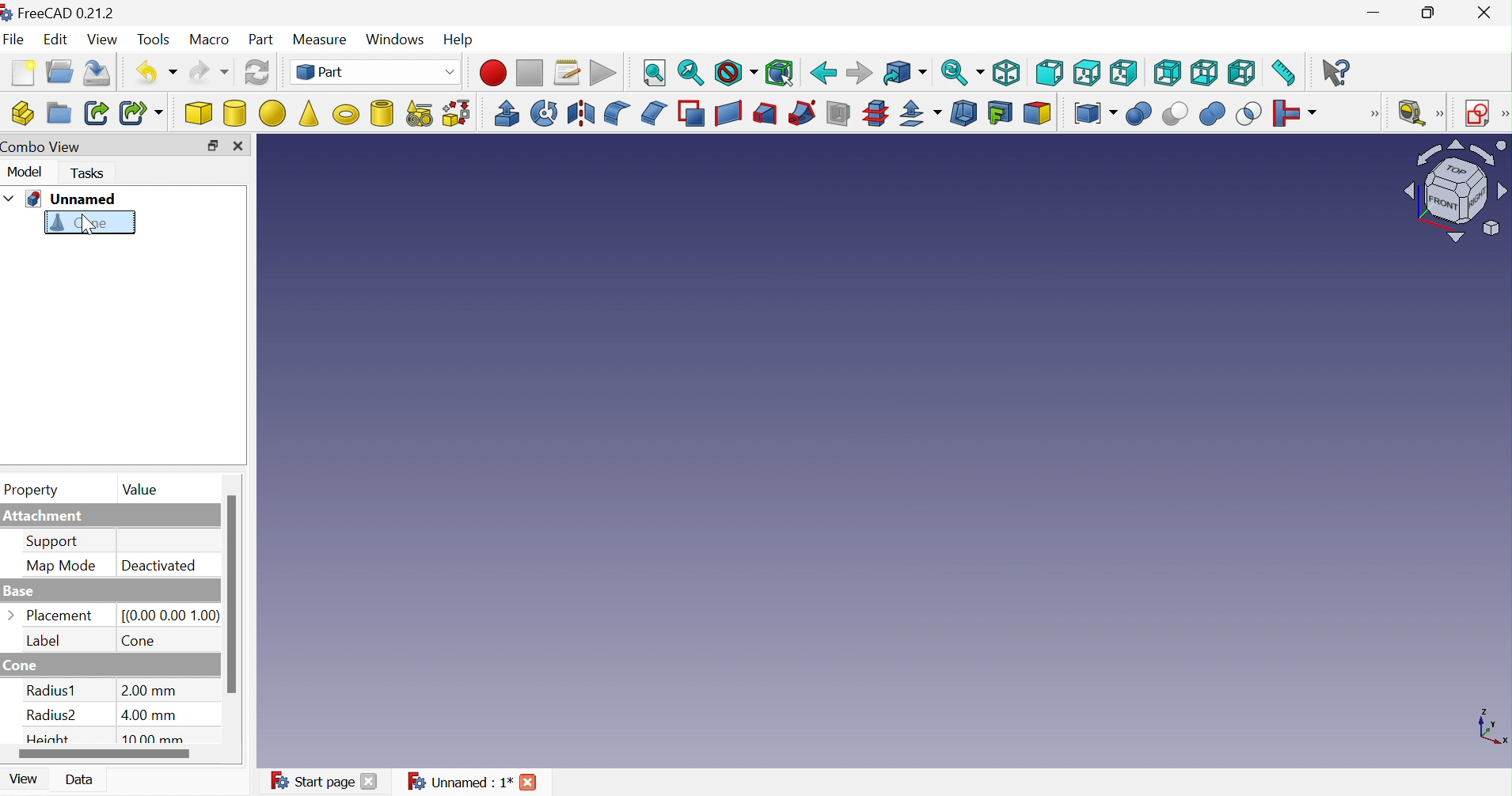  What do you see at coordinates (904, 74) in the screenshot?
I see `Go to linked object` at bounding box center [904, 74].